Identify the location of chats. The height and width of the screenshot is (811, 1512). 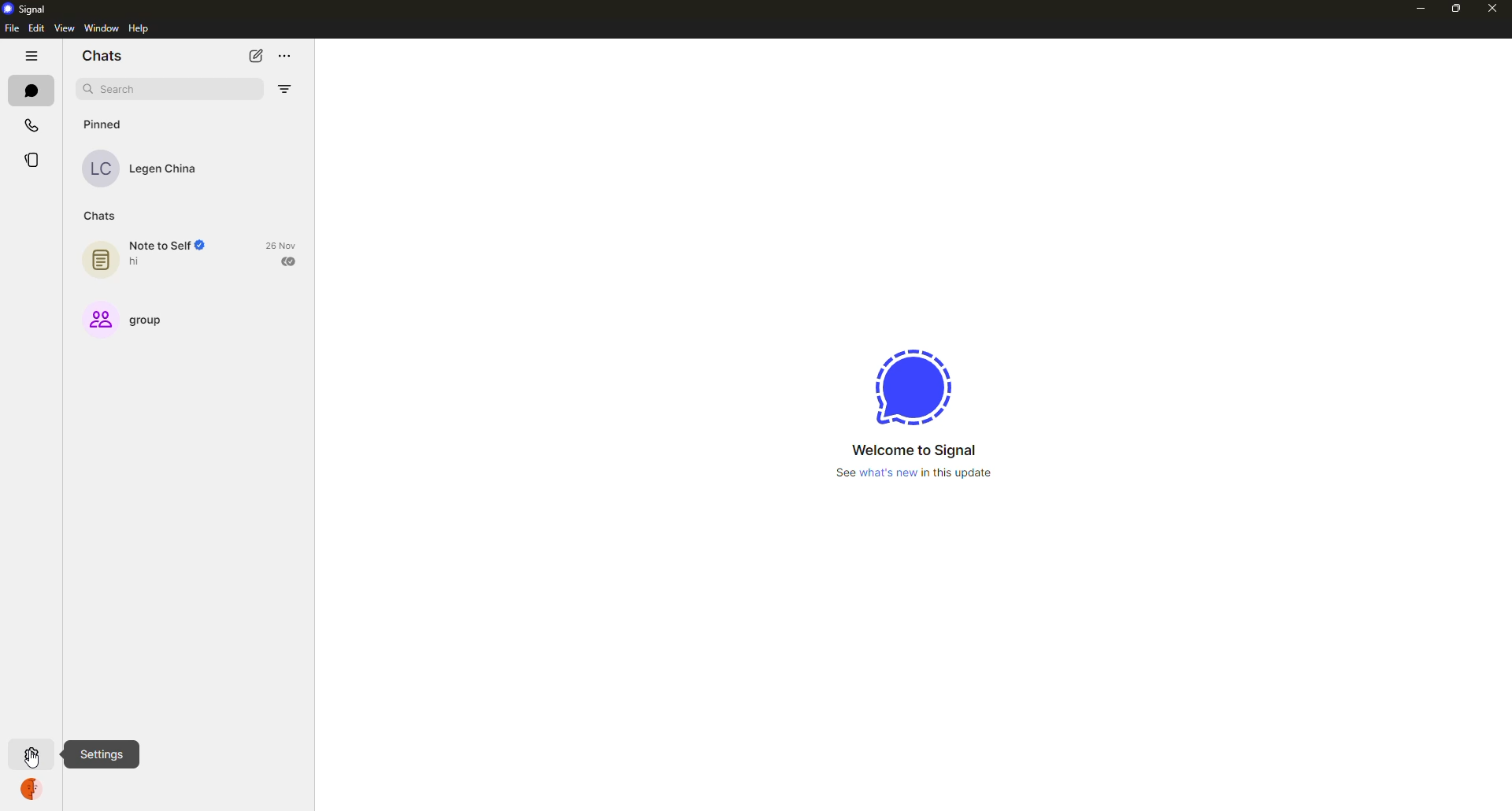
(102, 214).